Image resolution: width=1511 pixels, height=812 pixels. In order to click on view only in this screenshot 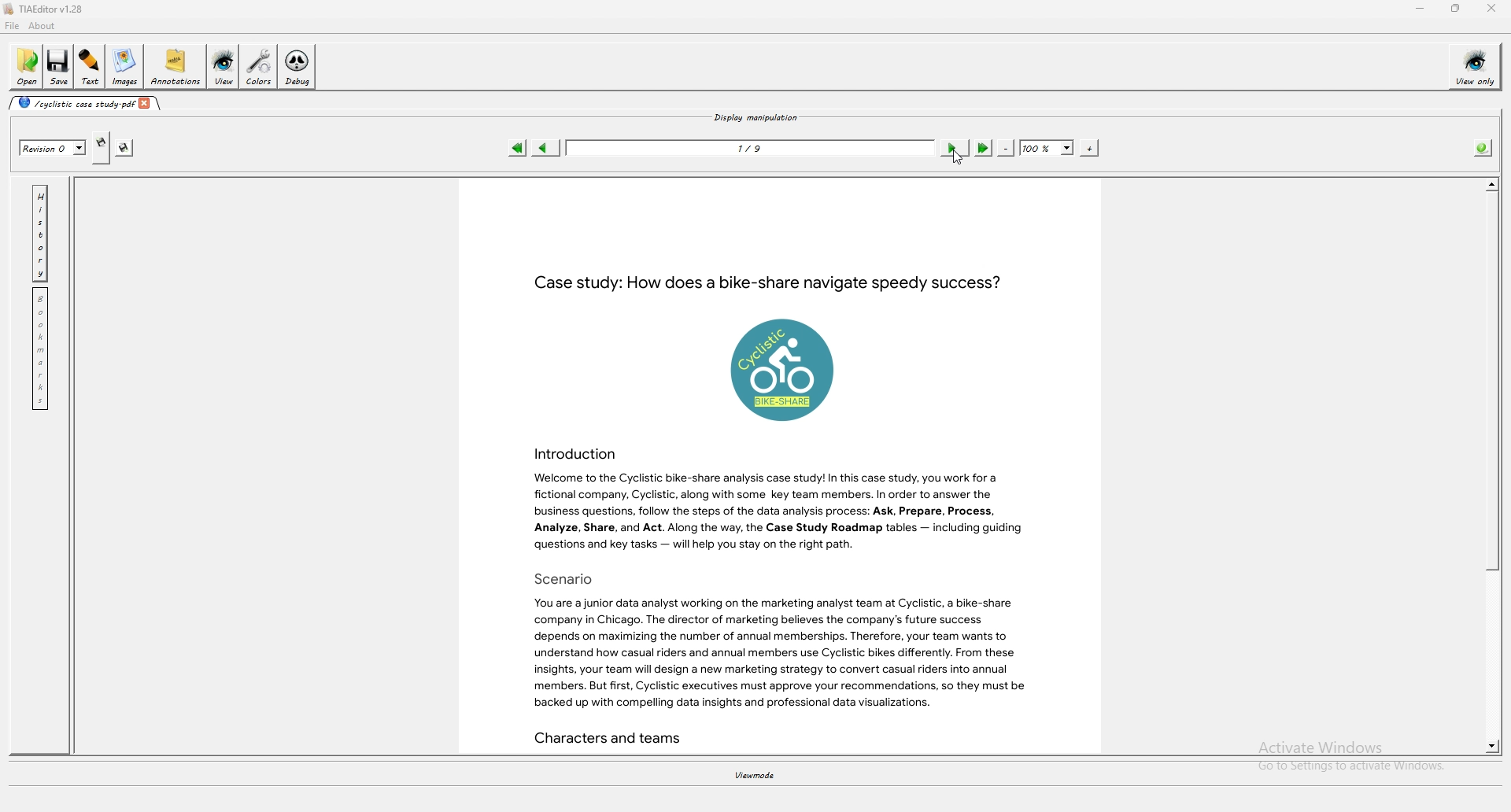, I will do `click(1475, 66)`.